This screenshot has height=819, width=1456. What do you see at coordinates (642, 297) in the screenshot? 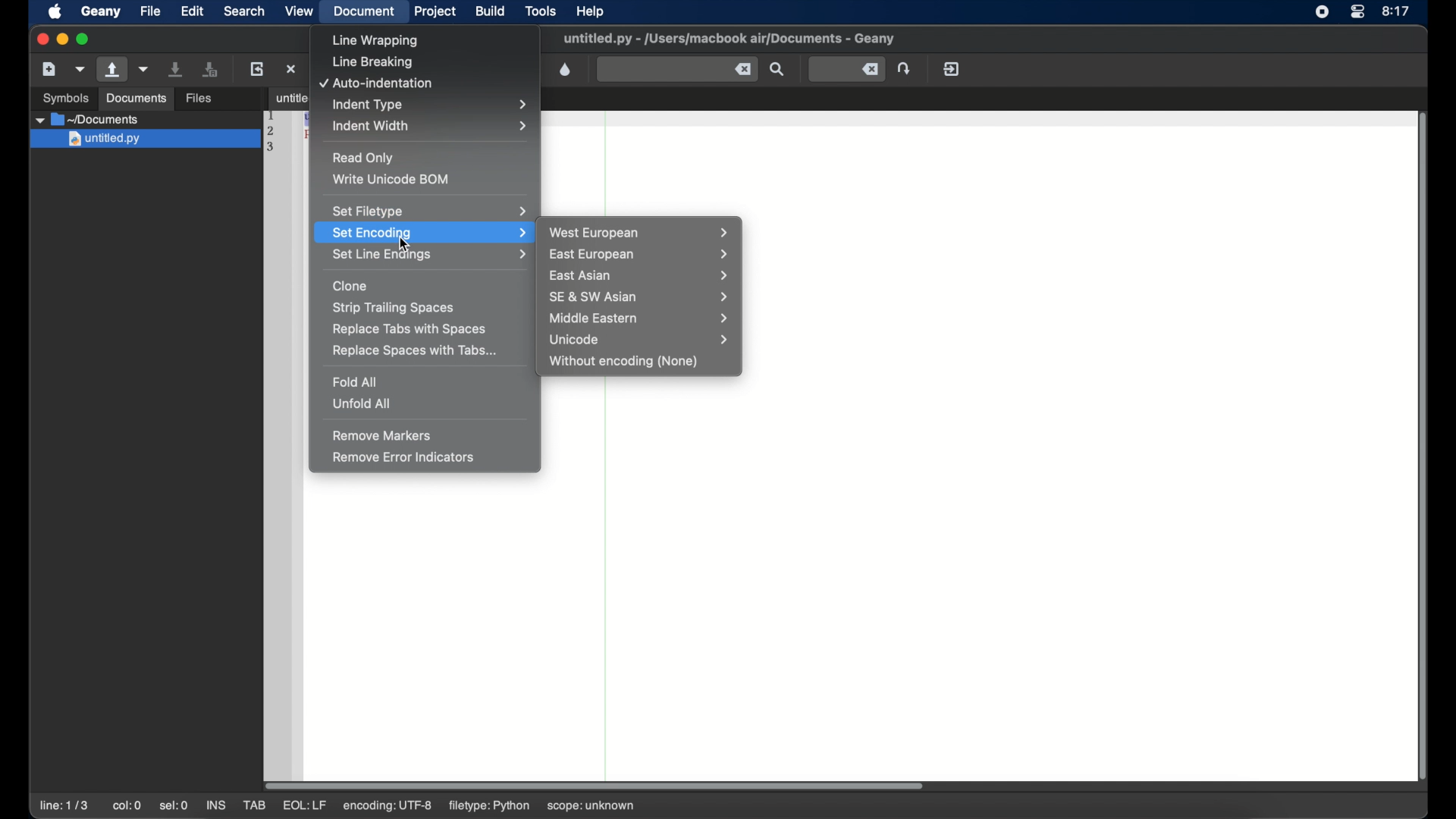
I see `se & sw asian` at bounding box center [642, 297].